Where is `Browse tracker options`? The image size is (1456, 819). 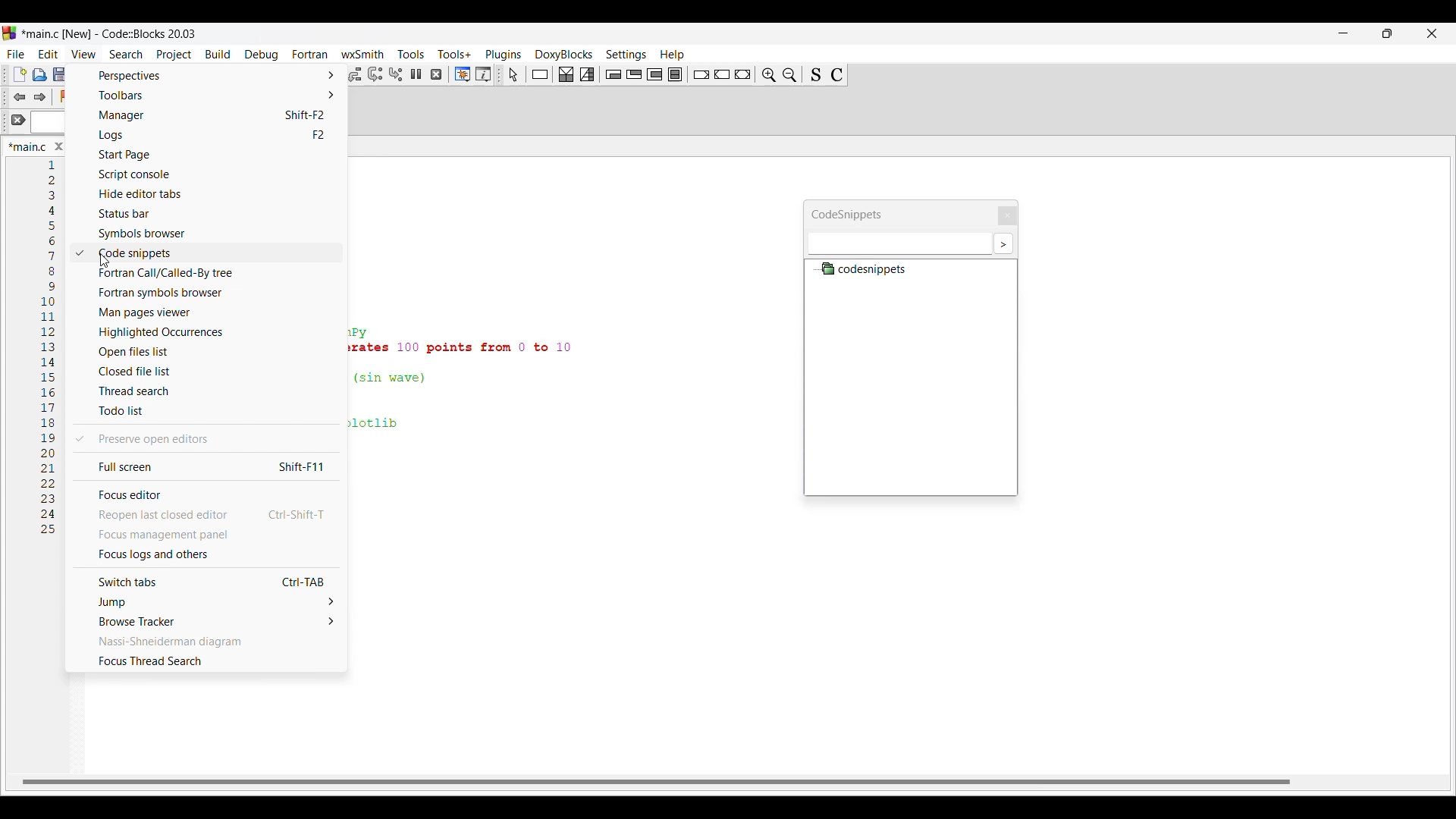
Browse tracker options is located at coordinates (208, 621).